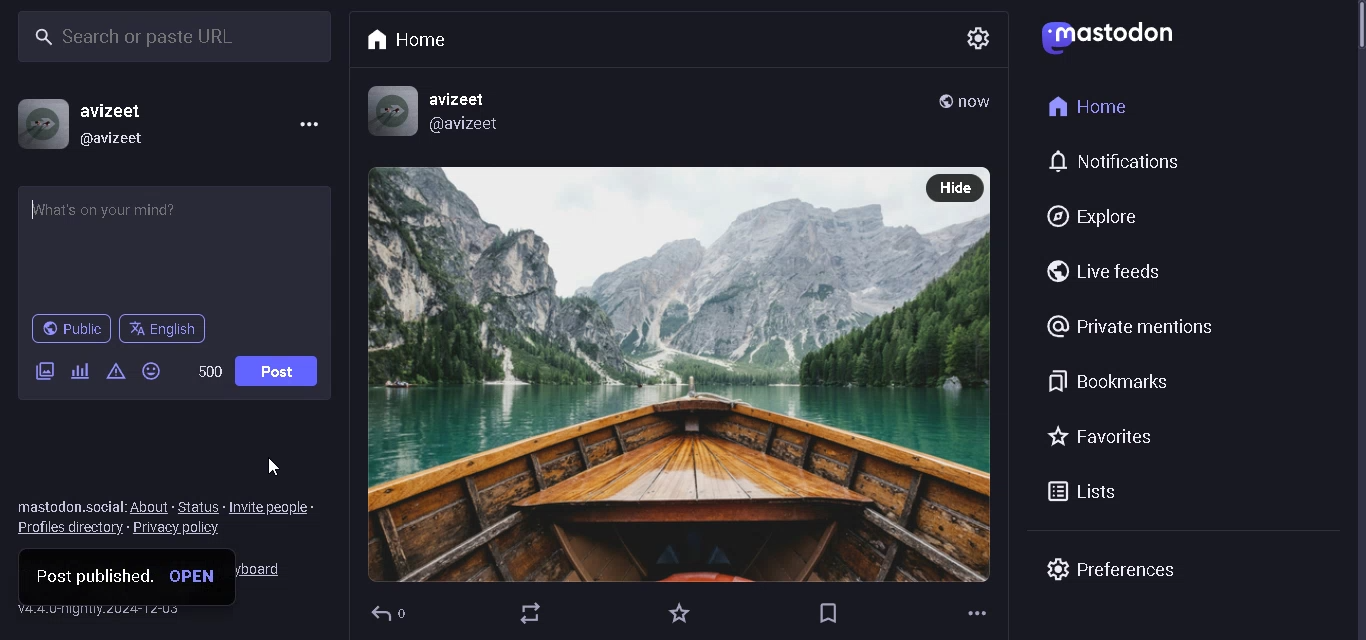 The height and width of the screenshot is (640, 1366). I want to click on add image, so click(44, 370).